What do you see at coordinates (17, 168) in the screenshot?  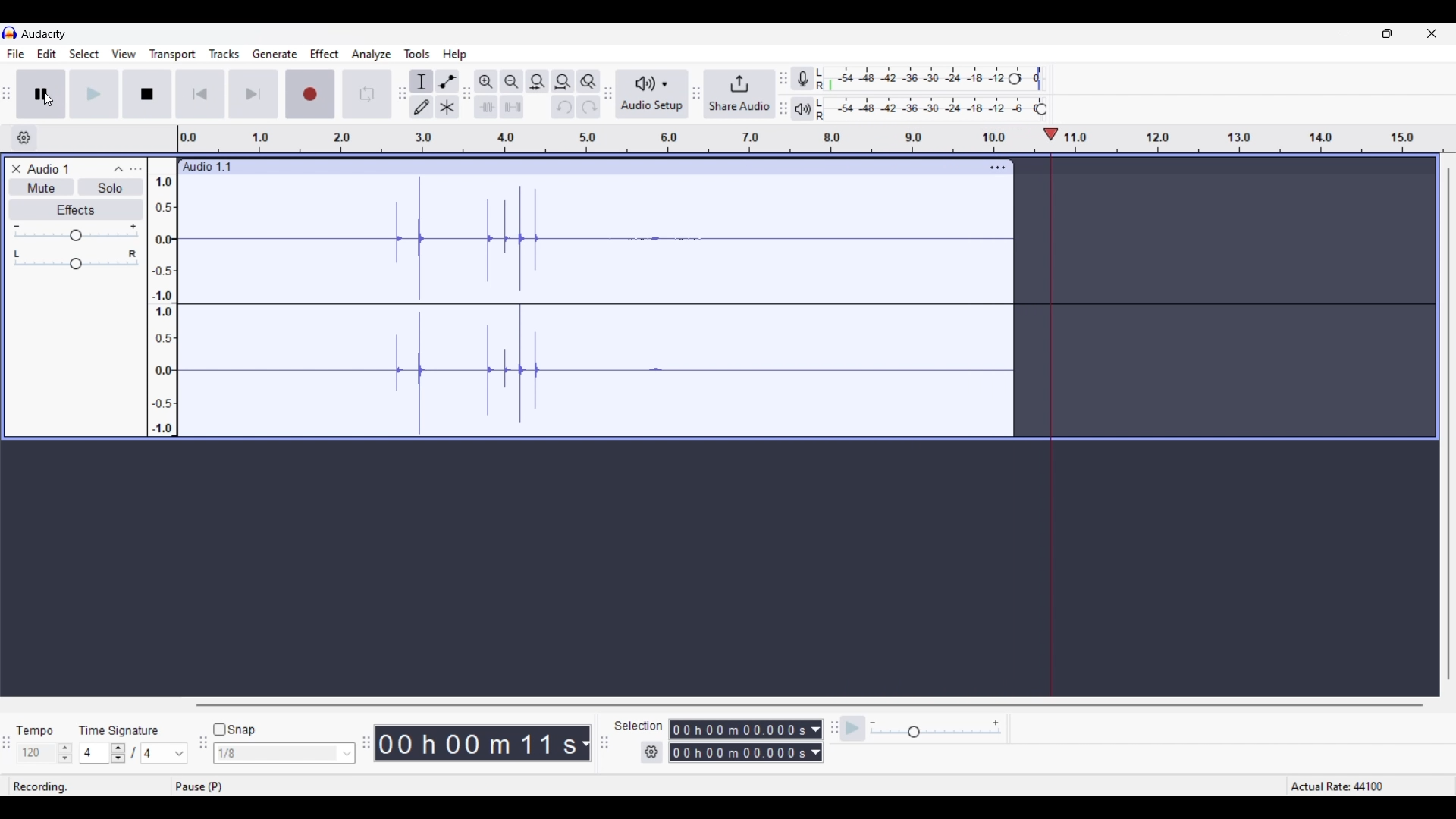 I see `Delete current track` at bounding box center [17, 168].